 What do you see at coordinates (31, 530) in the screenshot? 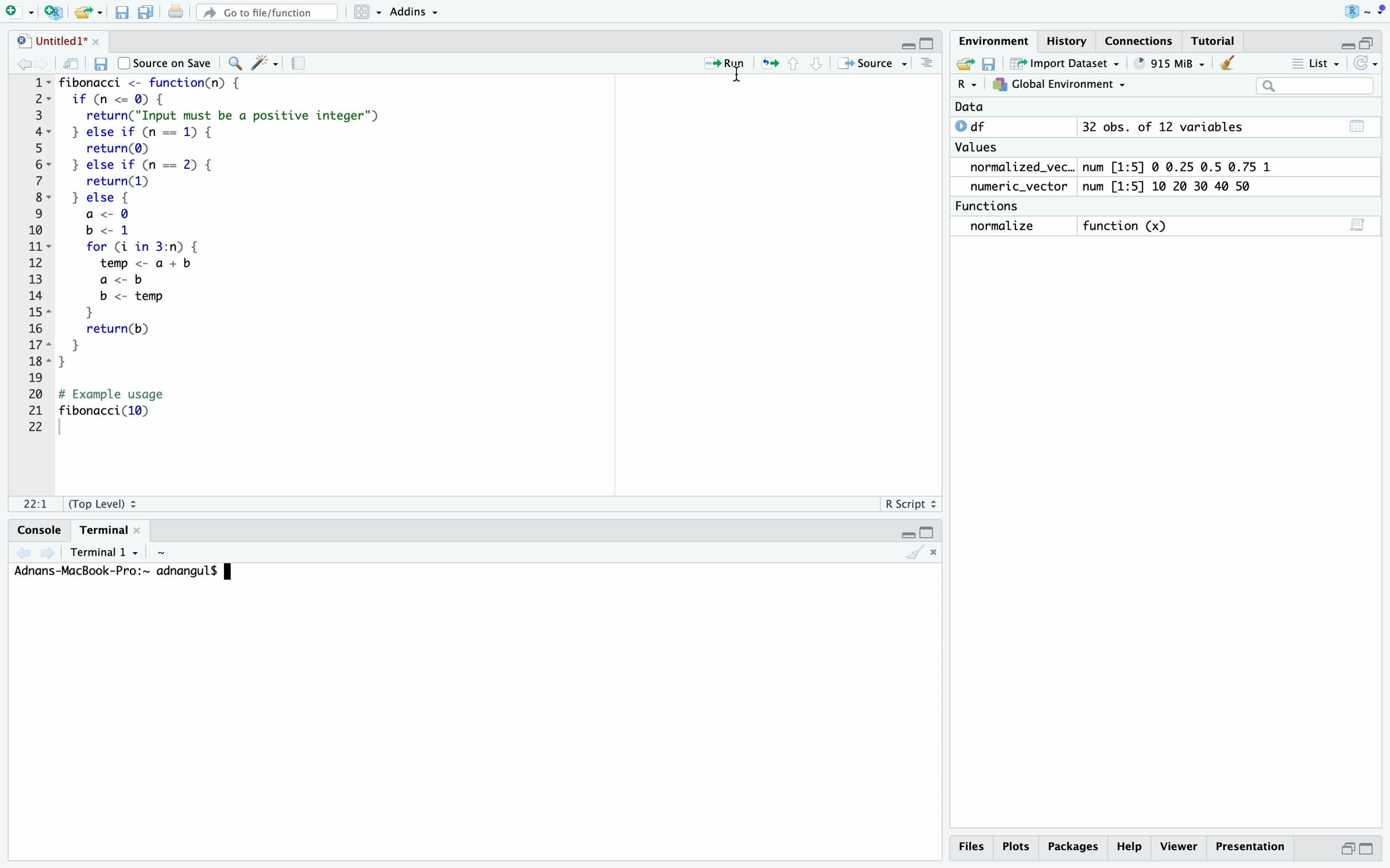
I see `console` at bounding box center [31, 530].